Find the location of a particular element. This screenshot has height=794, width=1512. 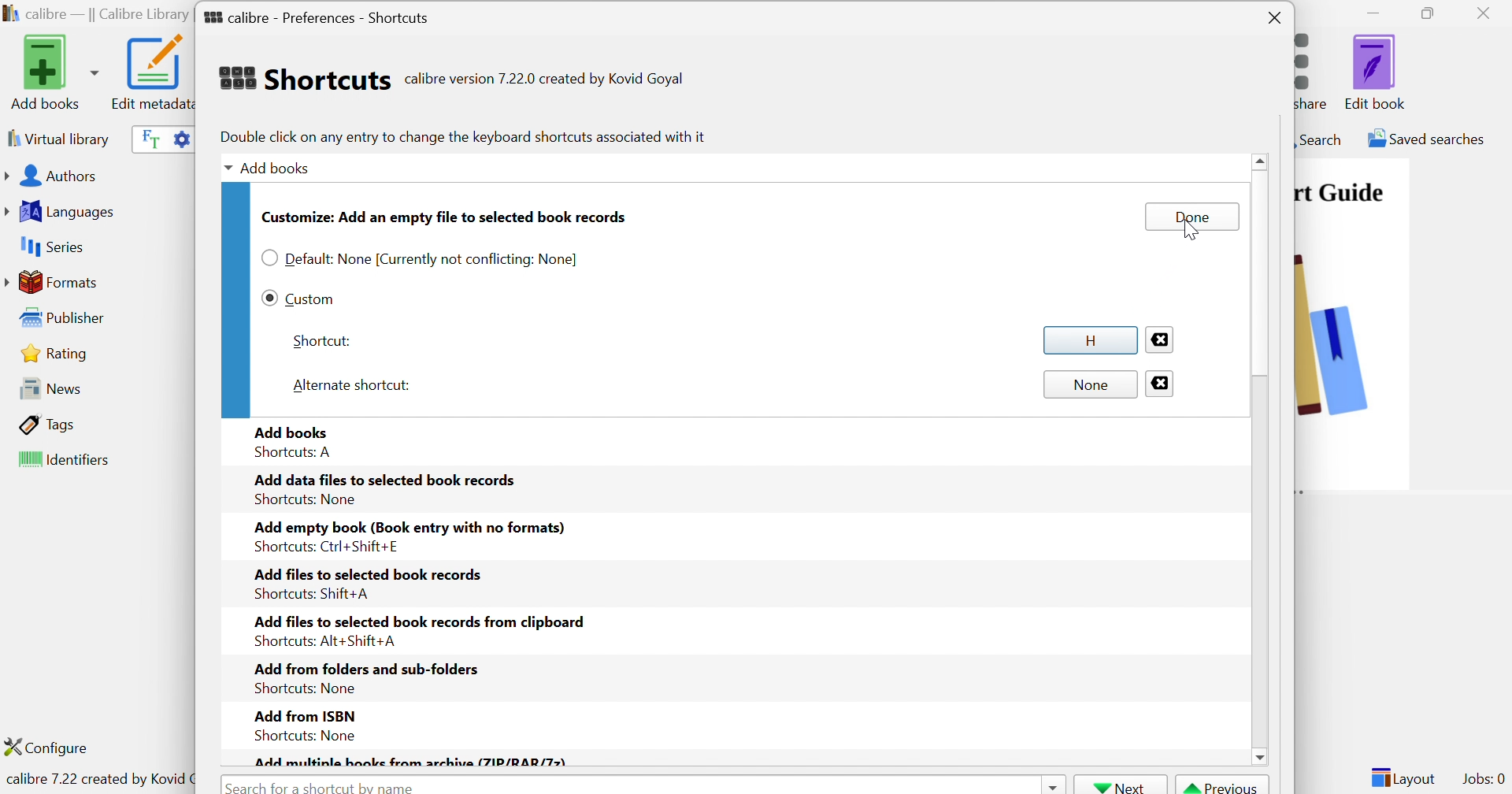

Jobs: 0 is located at coordinates (1484, 780).